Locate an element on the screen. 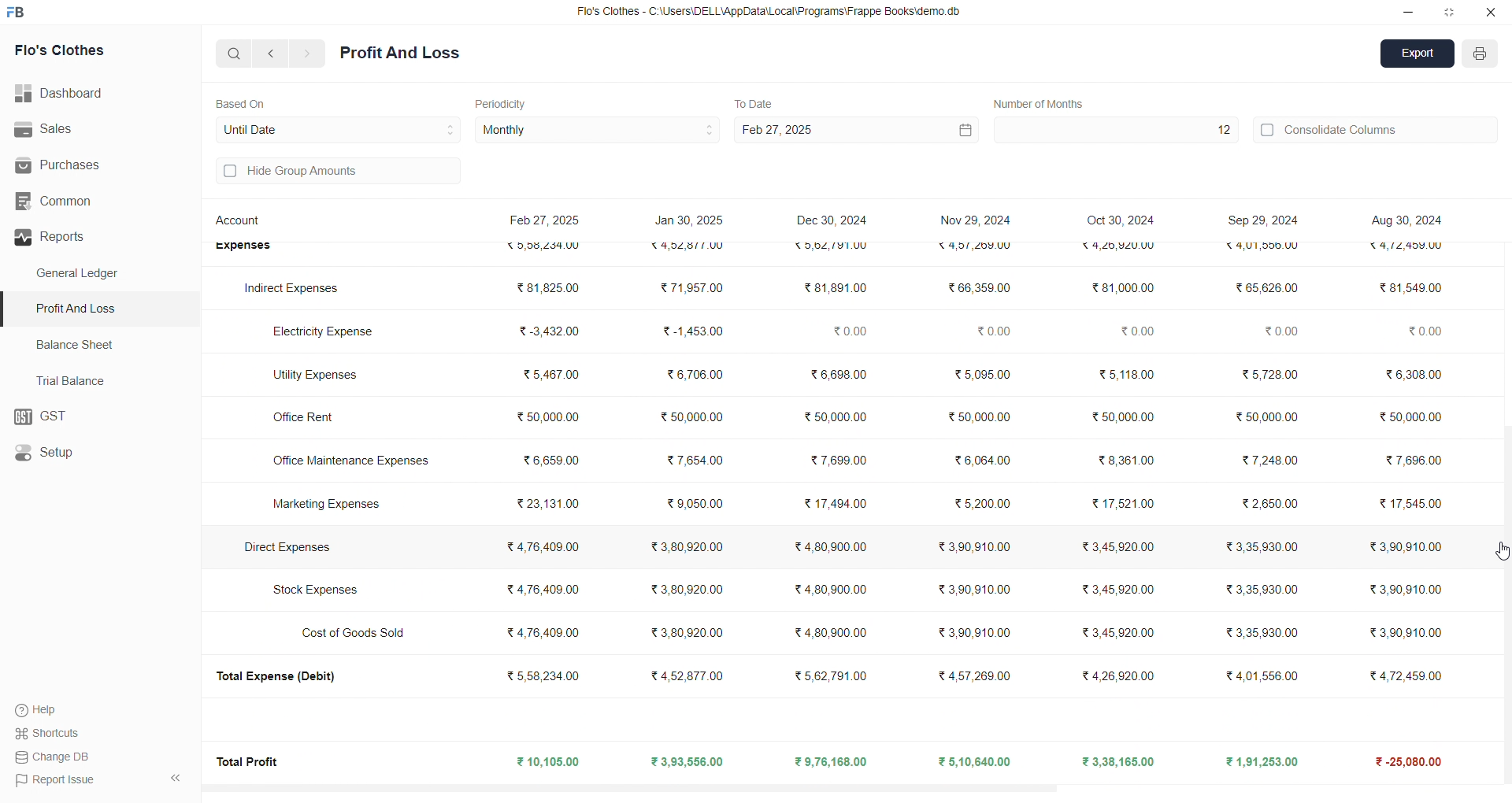 Image resolution: width=1512 pixels, height=803 pixels. ₹50,000.00 is located at coordinates (980, 417).